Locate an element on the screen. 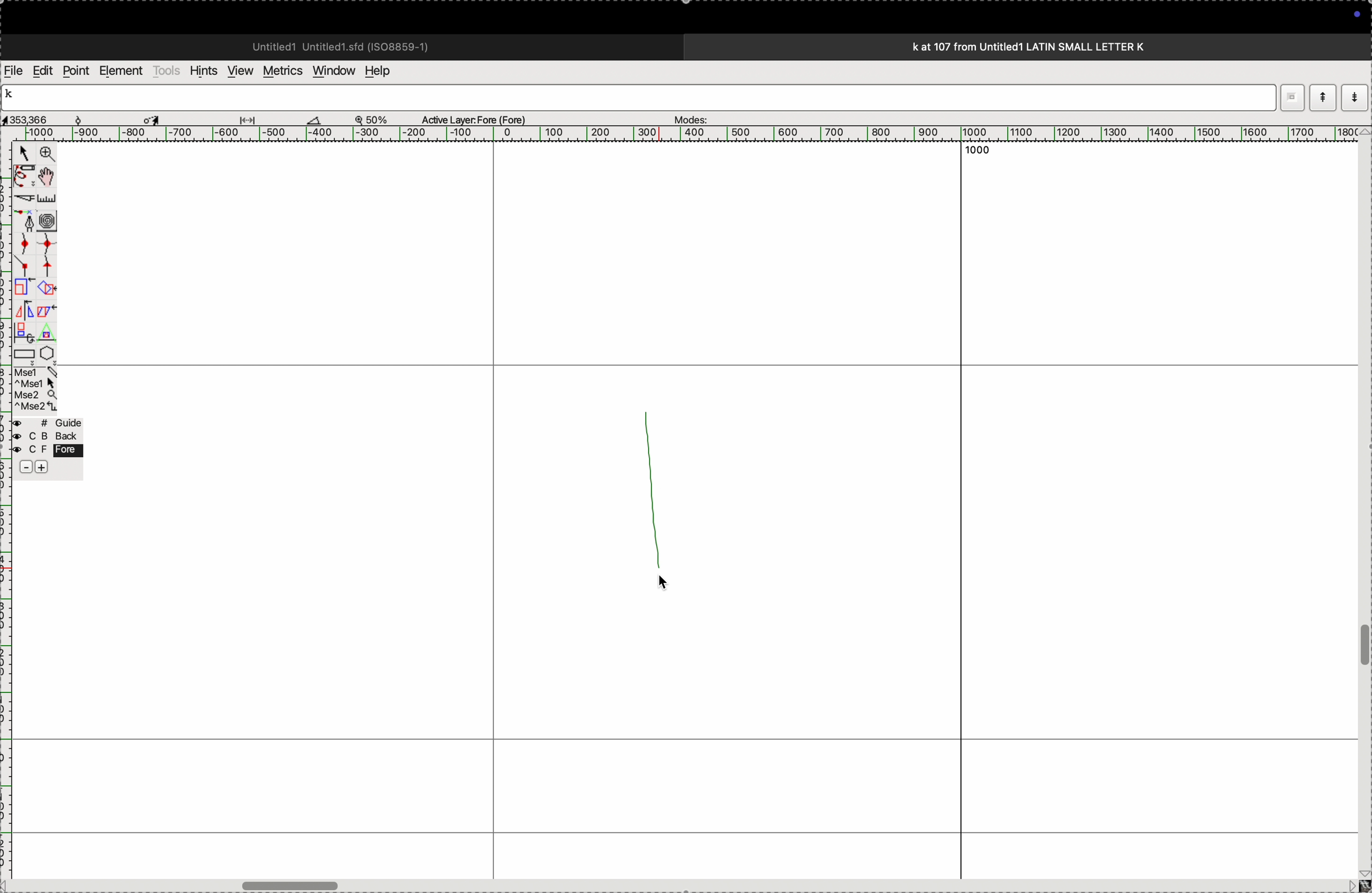 Image resolution: width=1372 pixels, height=893 pixels. window is located at coordinates (331, 70).